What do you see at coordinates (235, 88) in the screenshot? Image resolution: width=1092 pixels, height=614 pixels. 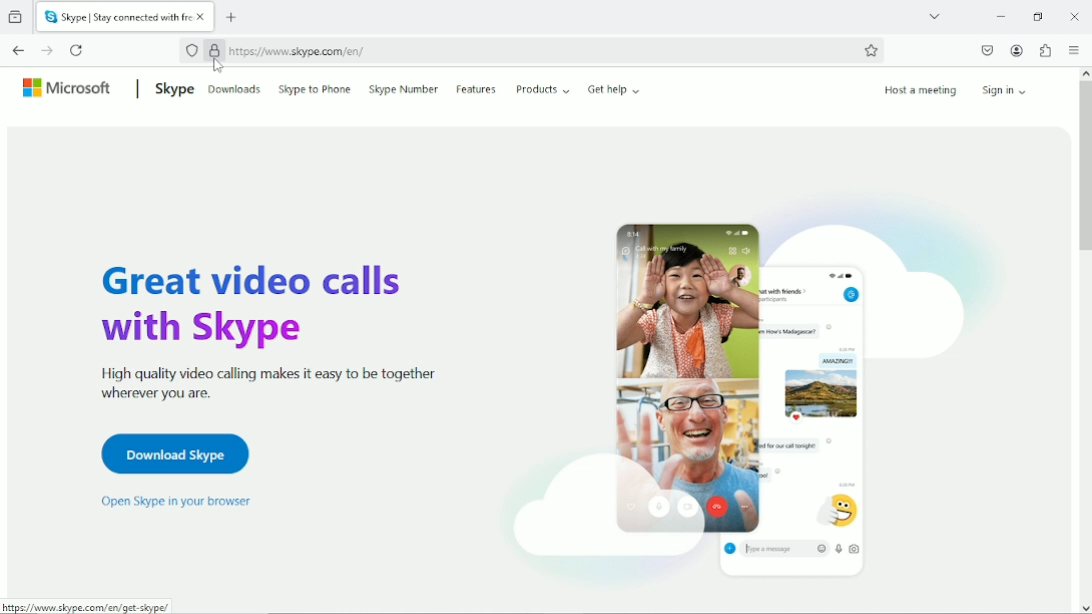 I see `Downloads` at bounding box center [235, 88].